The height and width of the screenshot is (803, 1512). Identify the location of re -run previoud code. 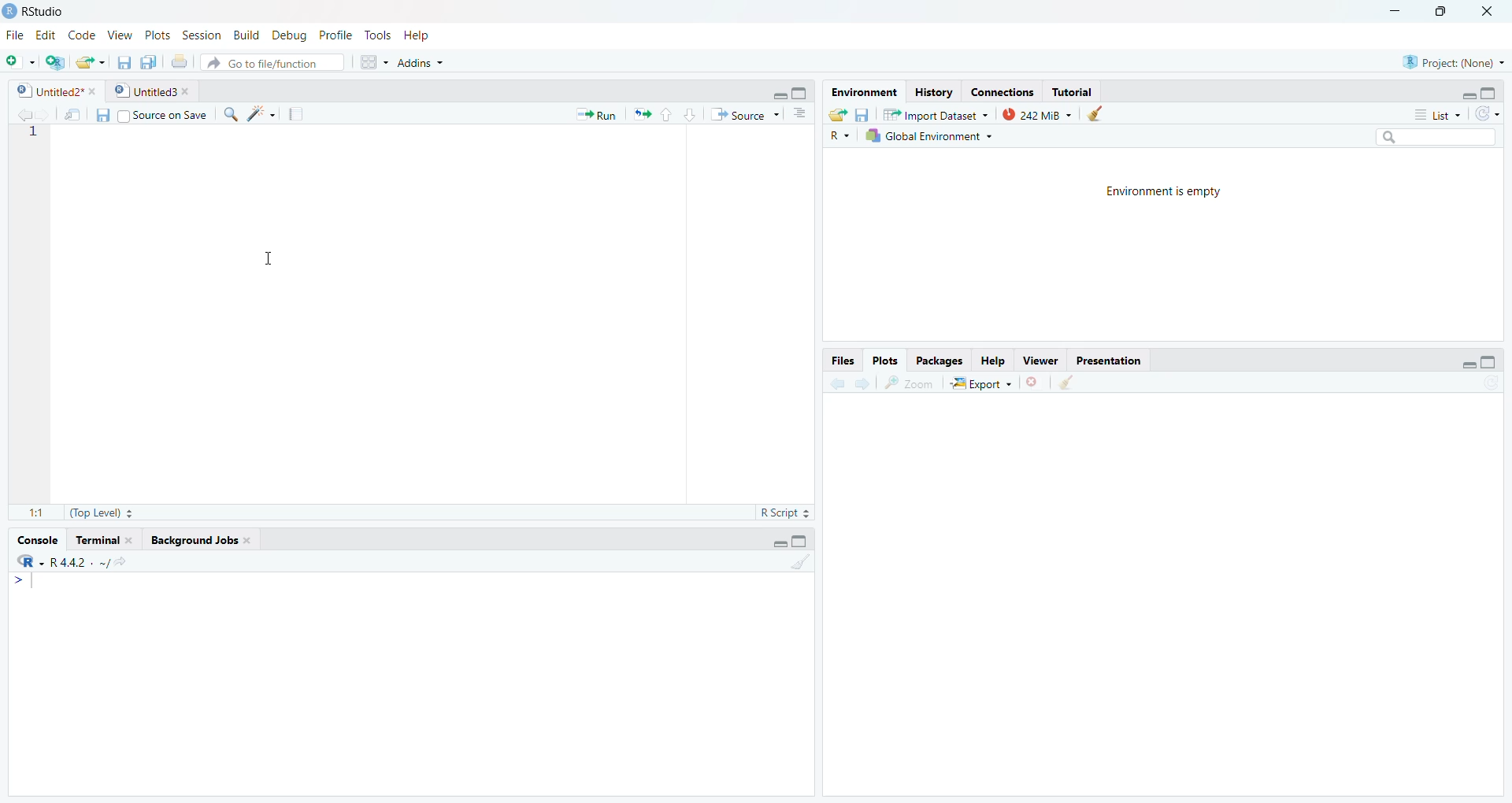
(642, 113).